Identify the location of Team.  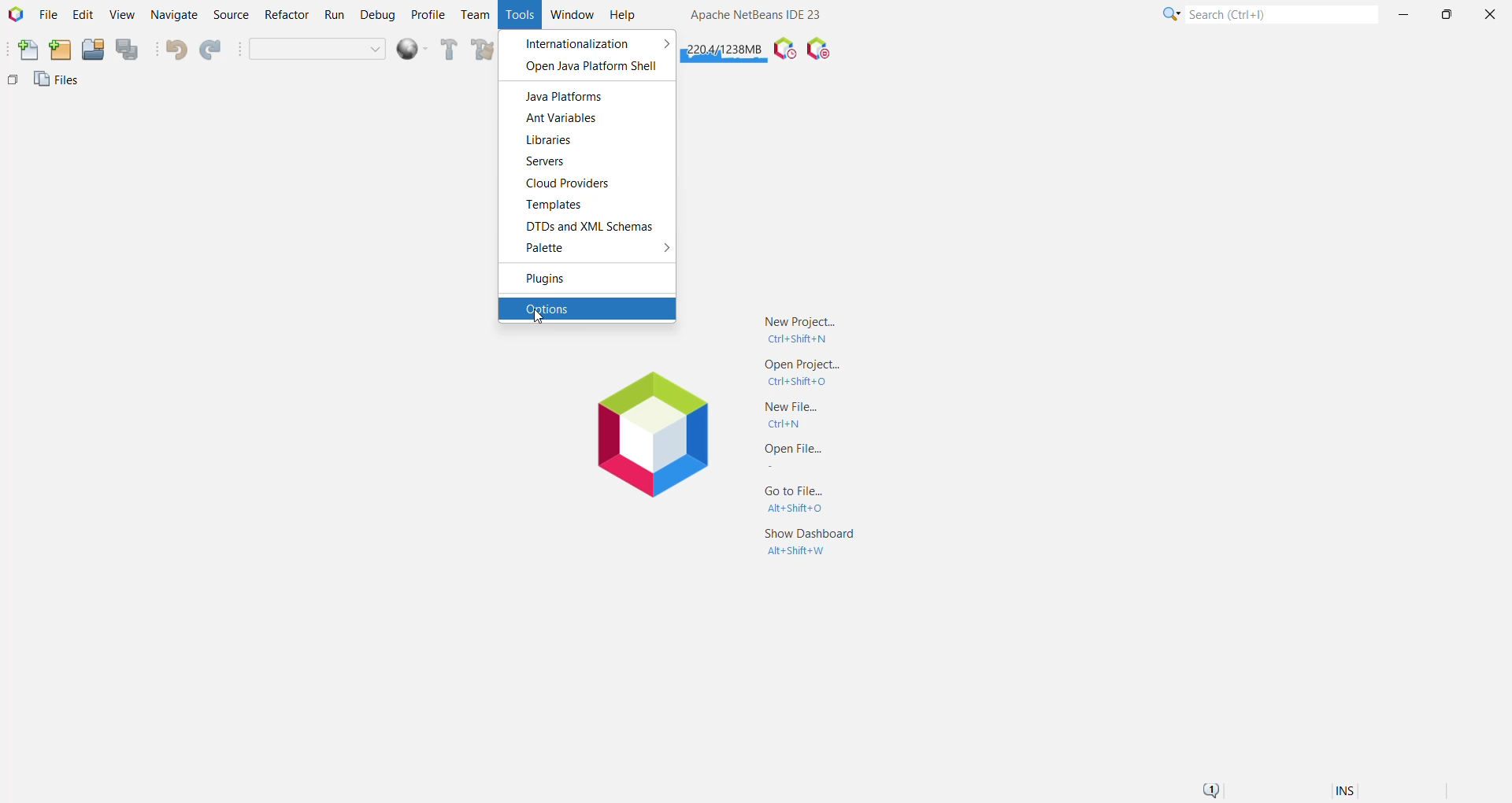
(474, 15).